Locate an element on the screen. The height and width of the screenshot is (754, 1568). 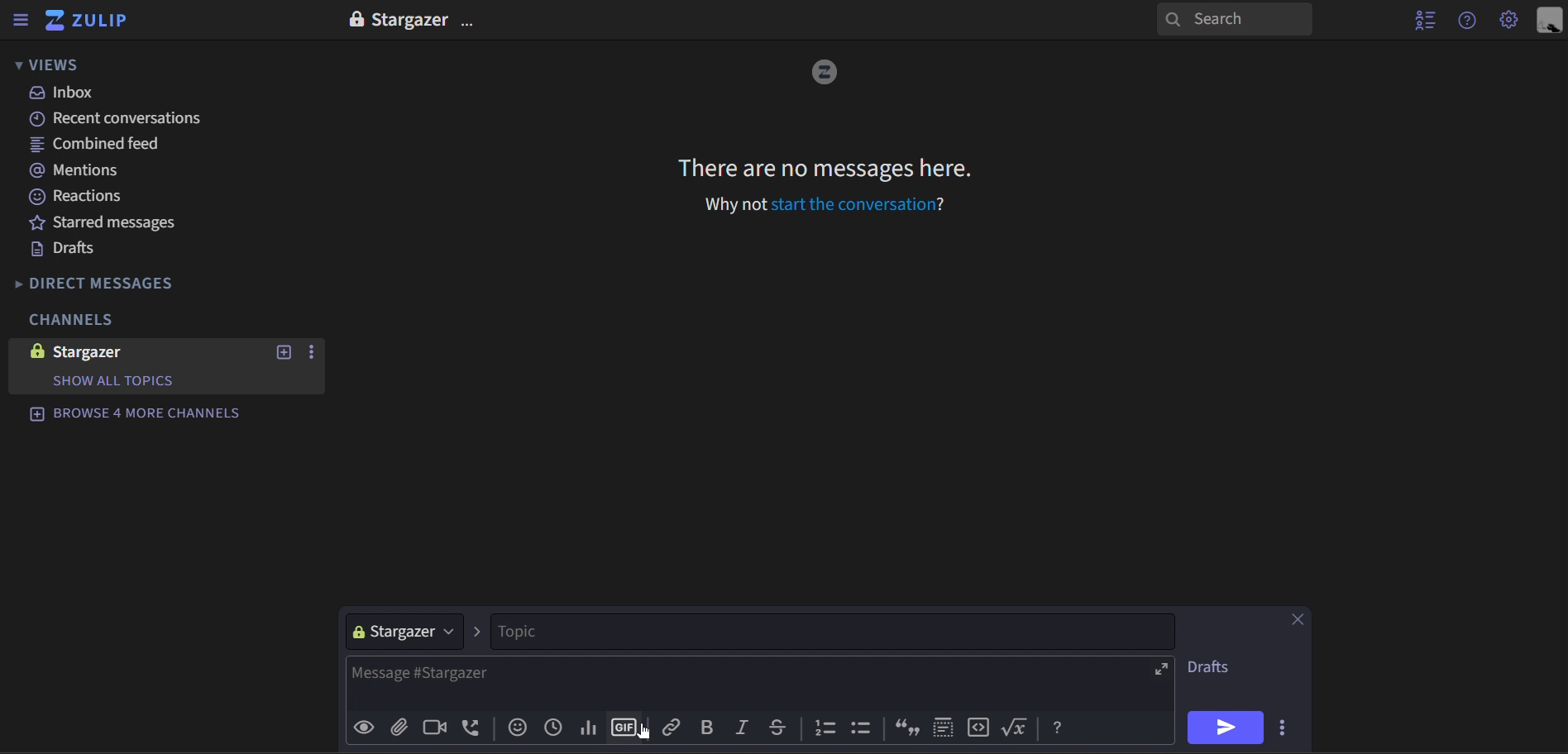
search panel is located at coordinates (1233, 20).